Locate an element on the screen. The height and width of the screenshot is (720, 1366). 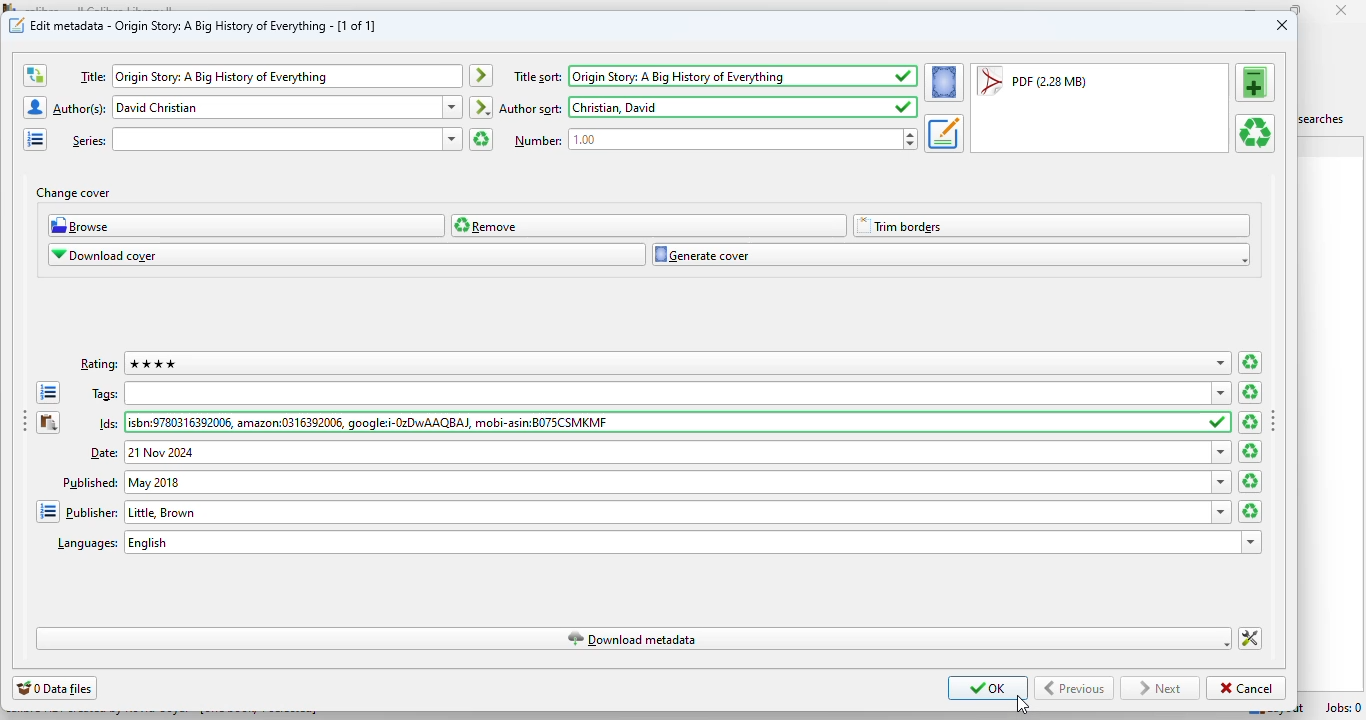
text is located at coordinates (92, 77).